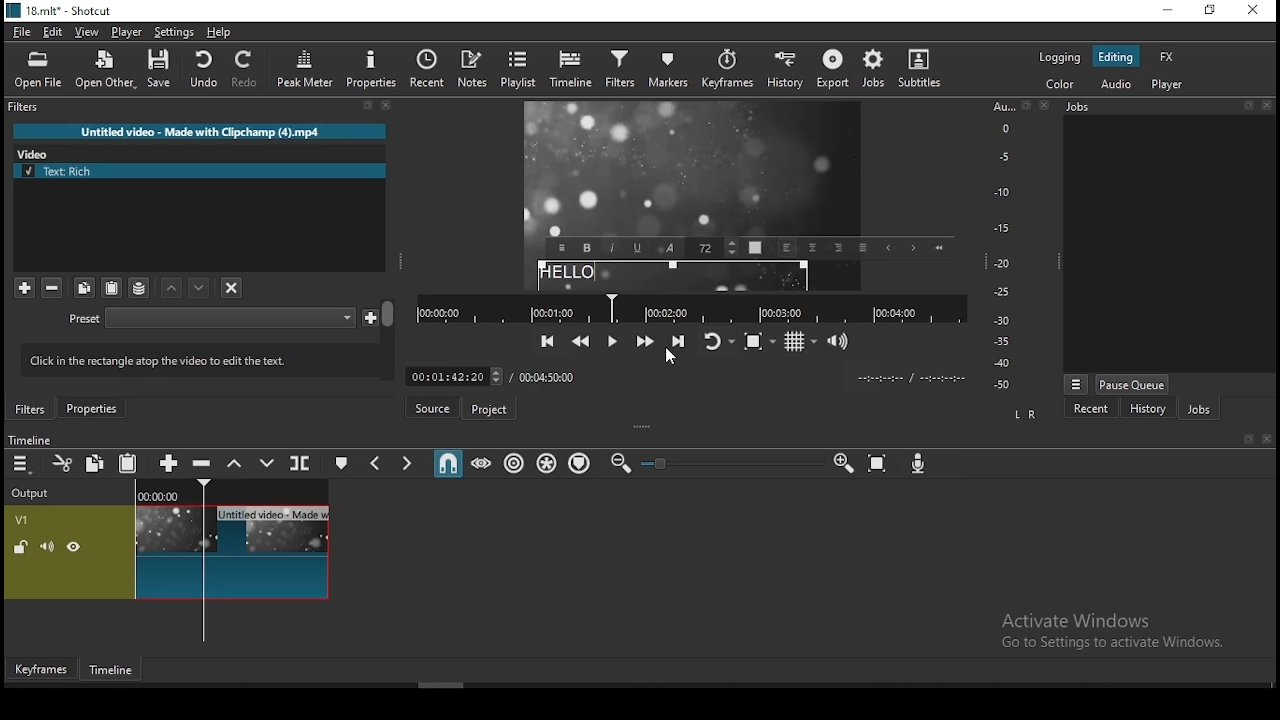 The height and width of the screenshot is (720, 1280). What do you see at coordinates (691, 309) in the screenshot?
I see `Timeline Navigator` at bounding box center [691, 309].